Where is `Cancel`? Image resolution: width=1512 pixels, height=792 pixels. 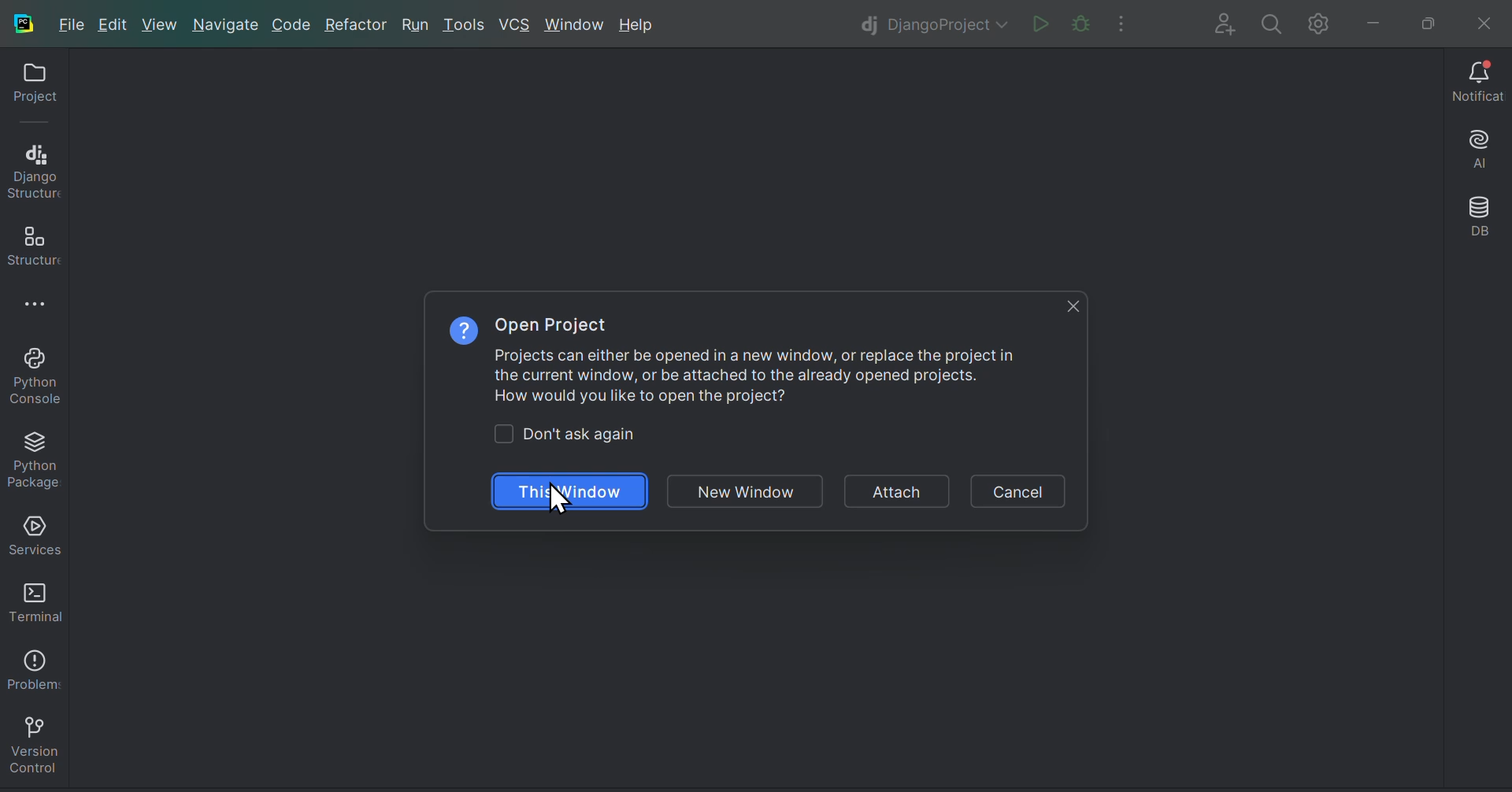 Cancel is located at coordinates (1019, 487).